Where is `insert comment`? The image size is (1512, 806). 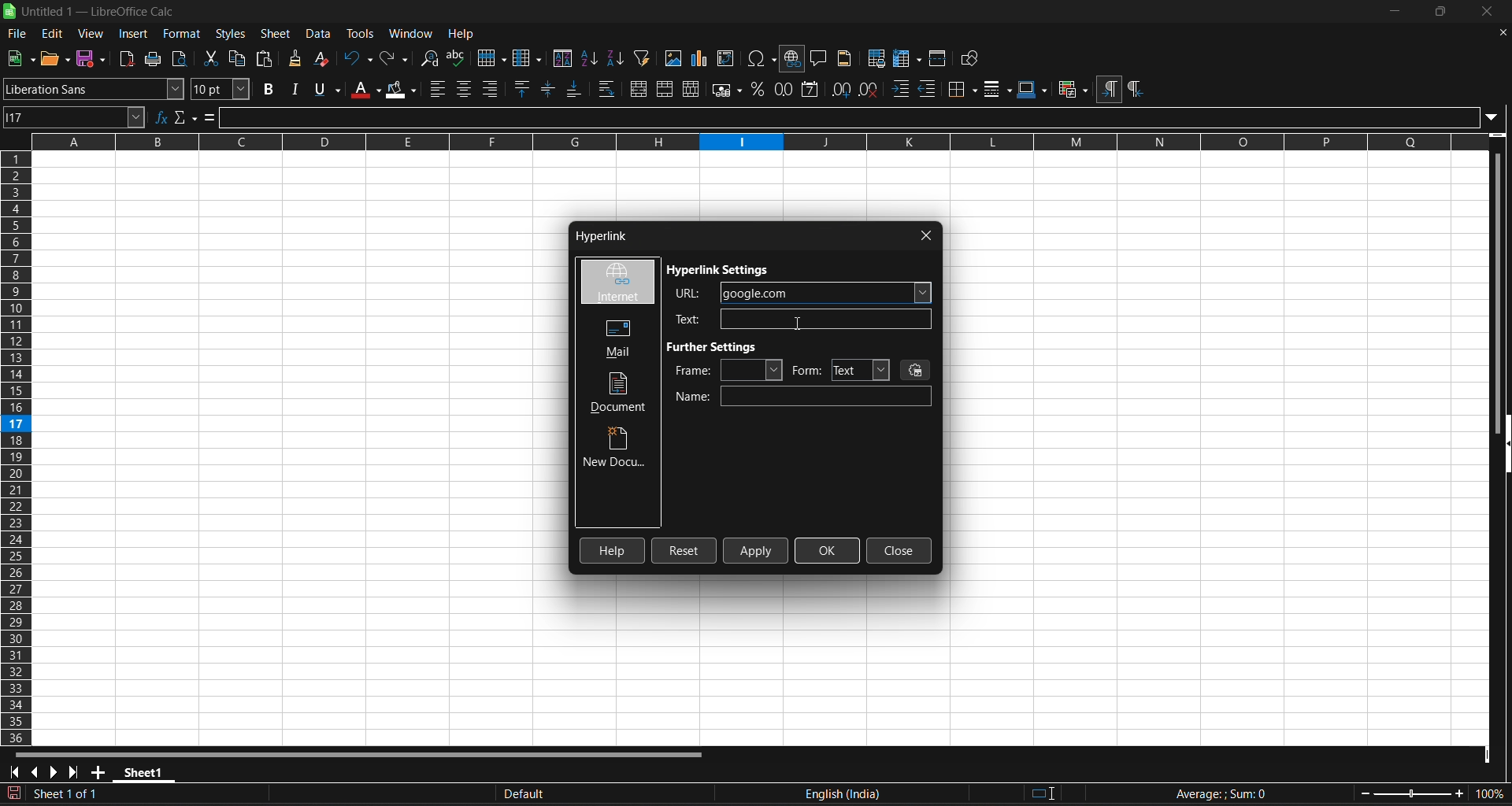 insert comment is located at coordinates (820, 57).